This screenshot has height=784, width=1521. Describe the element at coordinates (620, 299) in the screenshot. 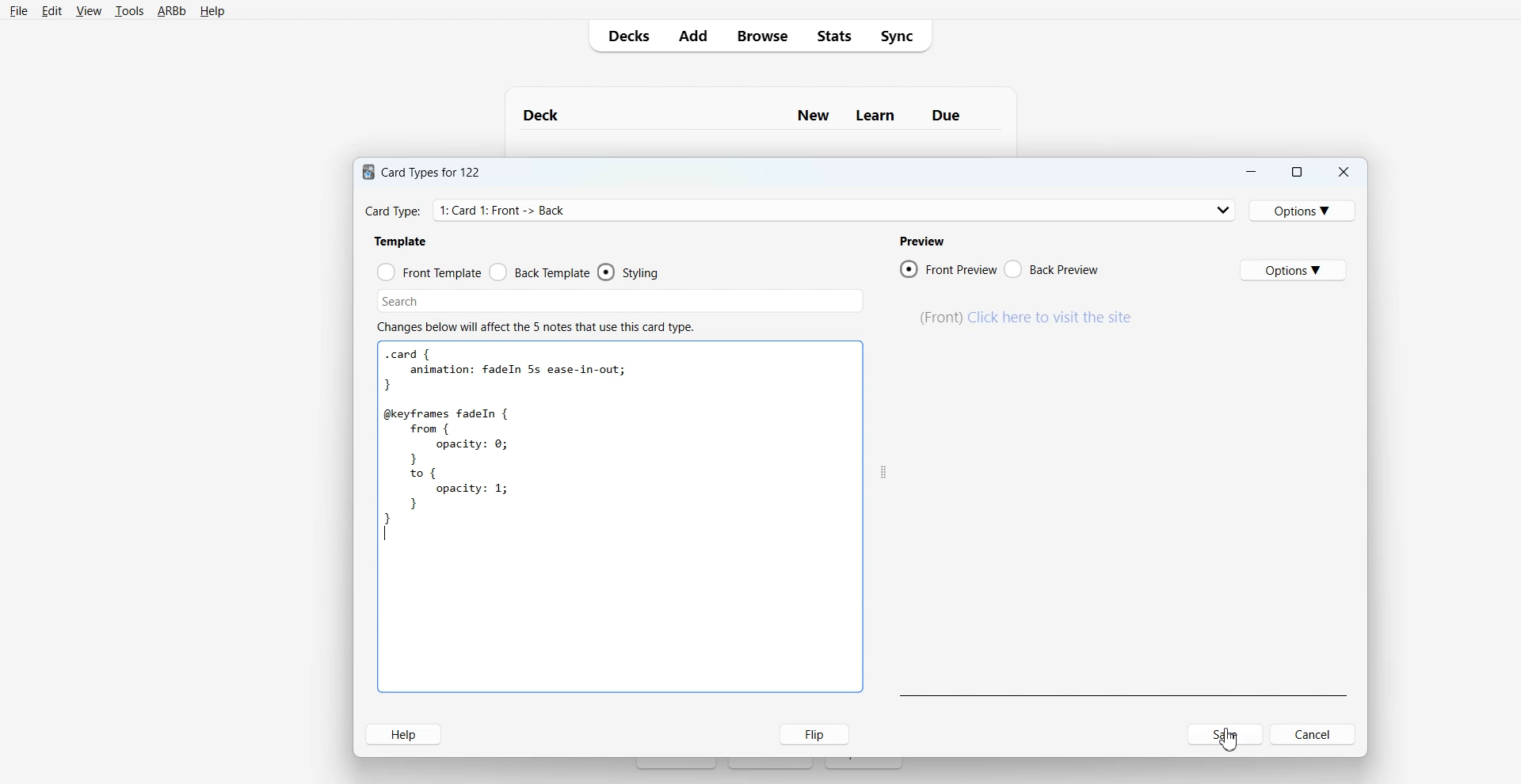

I see `Search Bar` at that location.